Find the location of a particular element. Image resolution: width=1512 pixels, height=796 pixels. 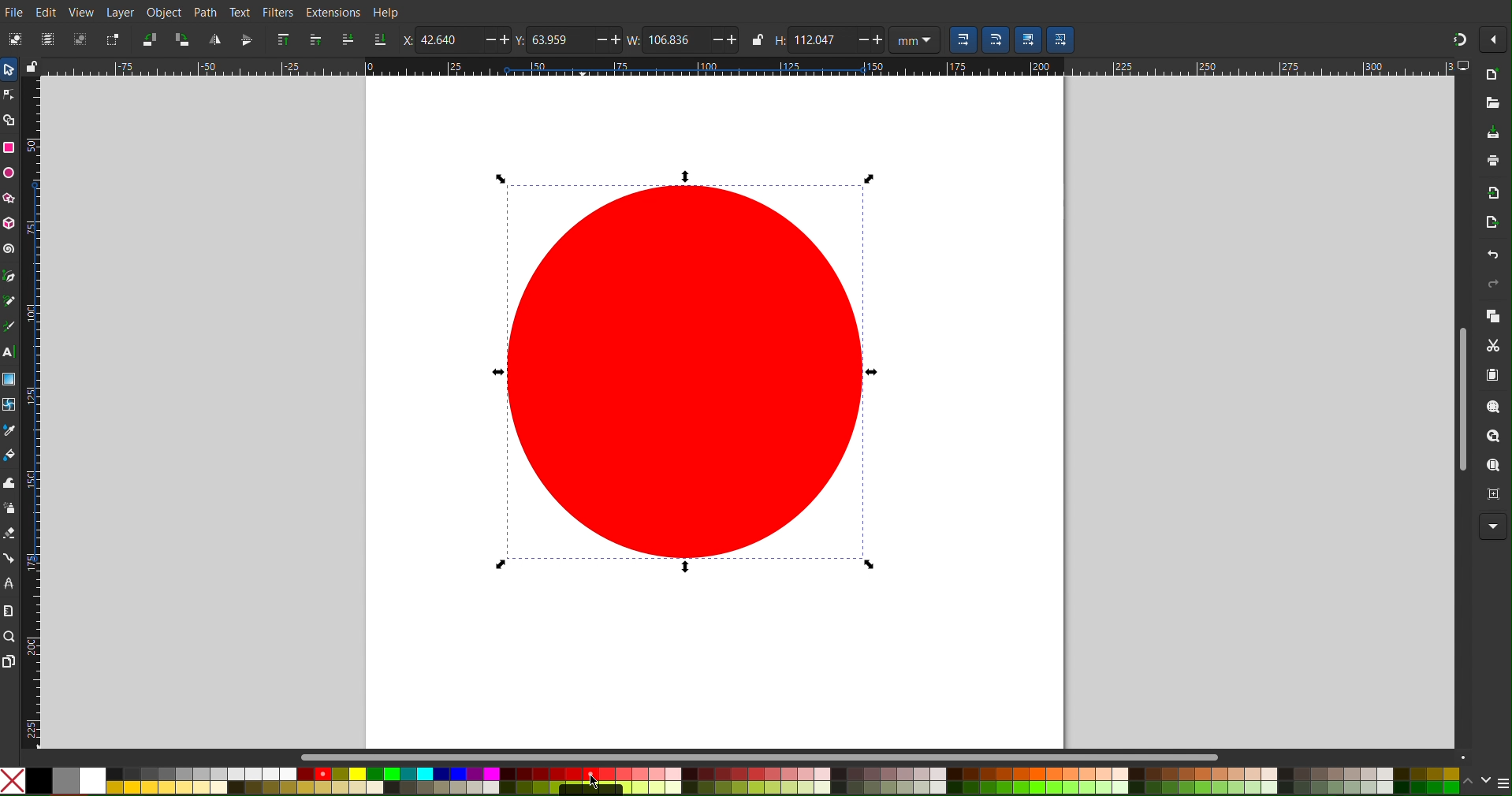

Extensions is located at coordinates (332, 11).